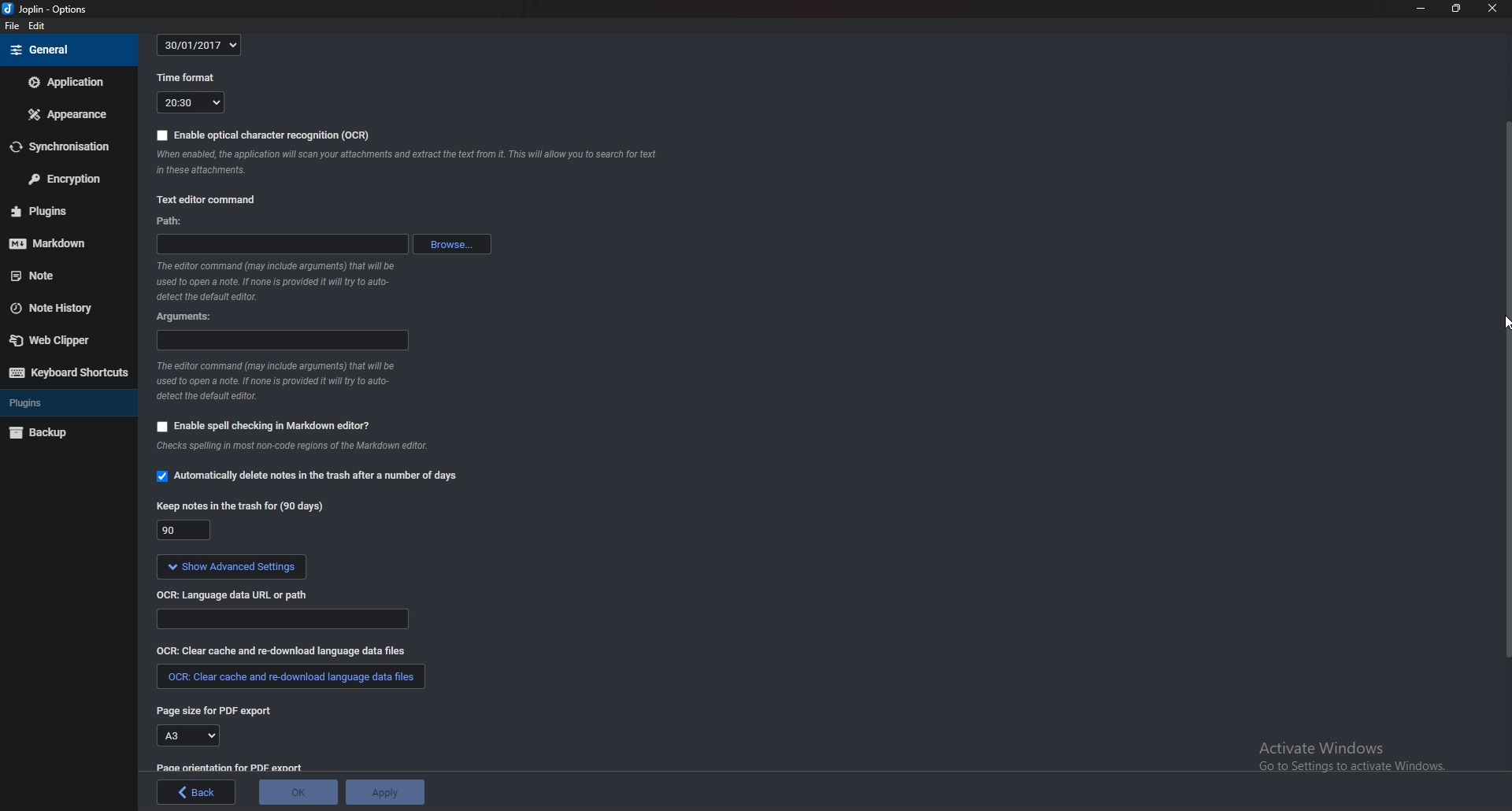 The height and width of the screenshot is (811, 1512). Describe the element at coordinates (187, 737) in the screenshot. I see `A3` at that location.